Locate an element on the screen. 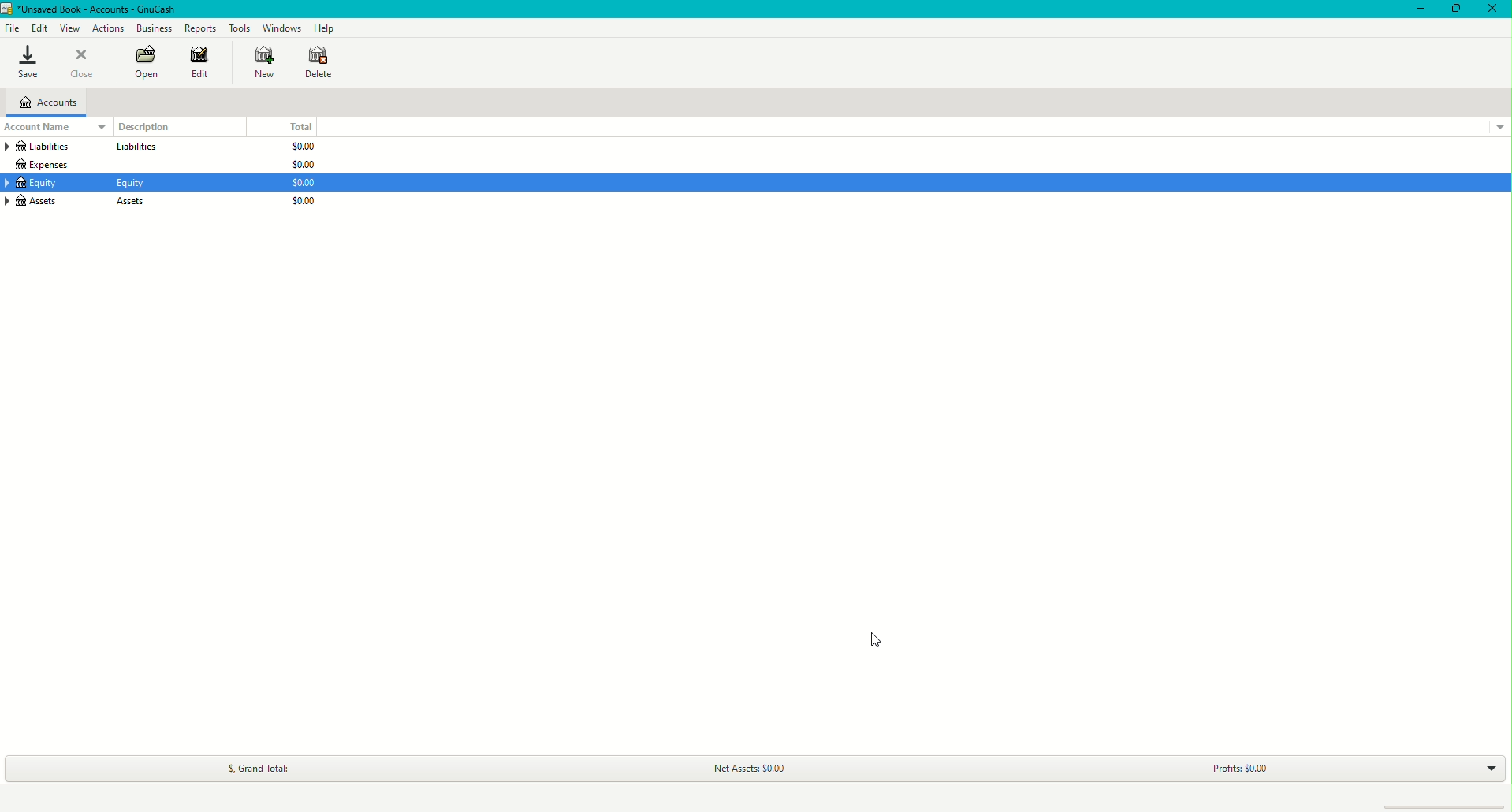  Grand Total is located at coordinates (257, 765).